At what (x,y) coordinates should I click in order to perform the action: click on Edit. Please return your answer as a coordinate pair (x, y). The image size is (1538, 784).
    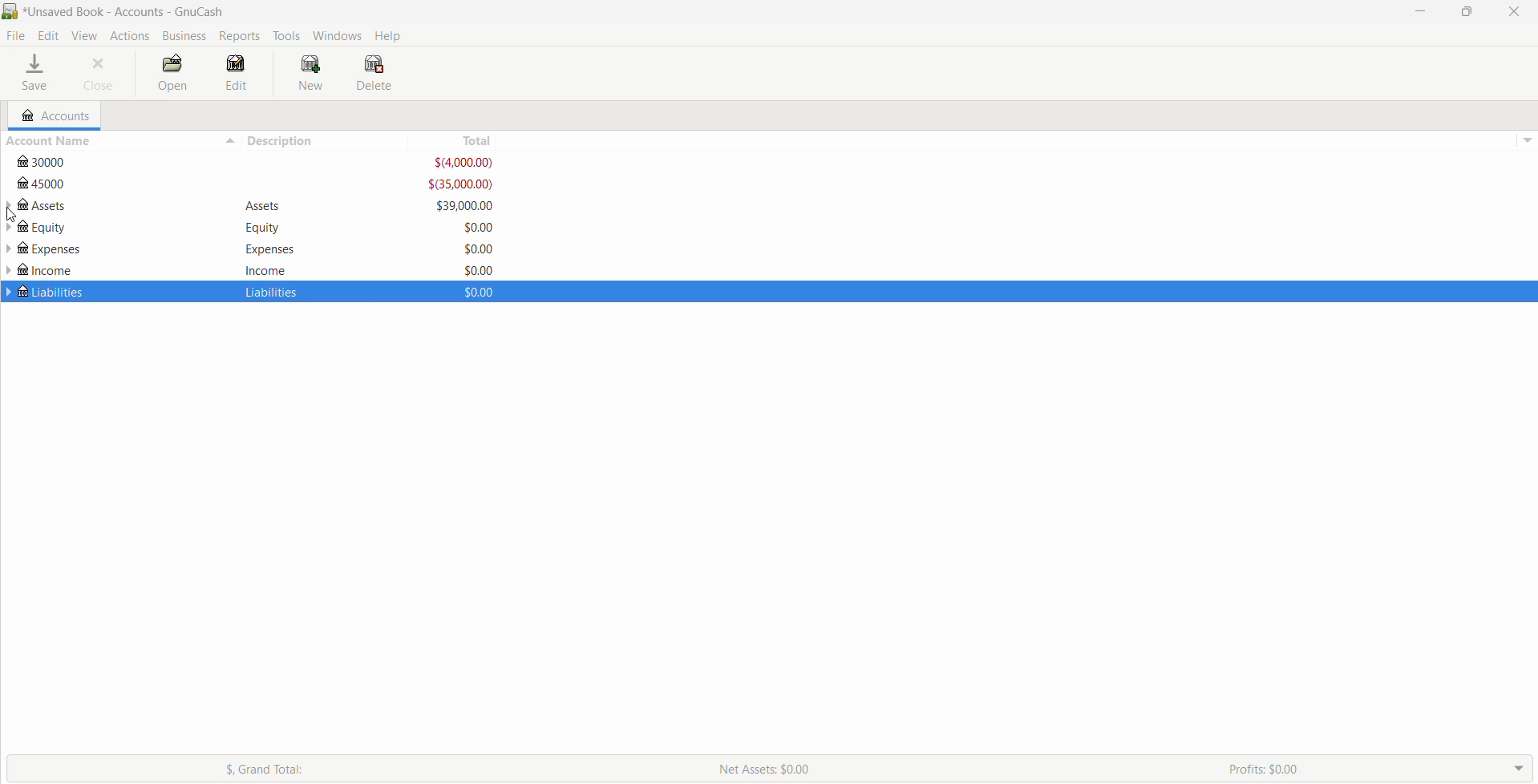
    Looking at the image, I should click on (237, 71).